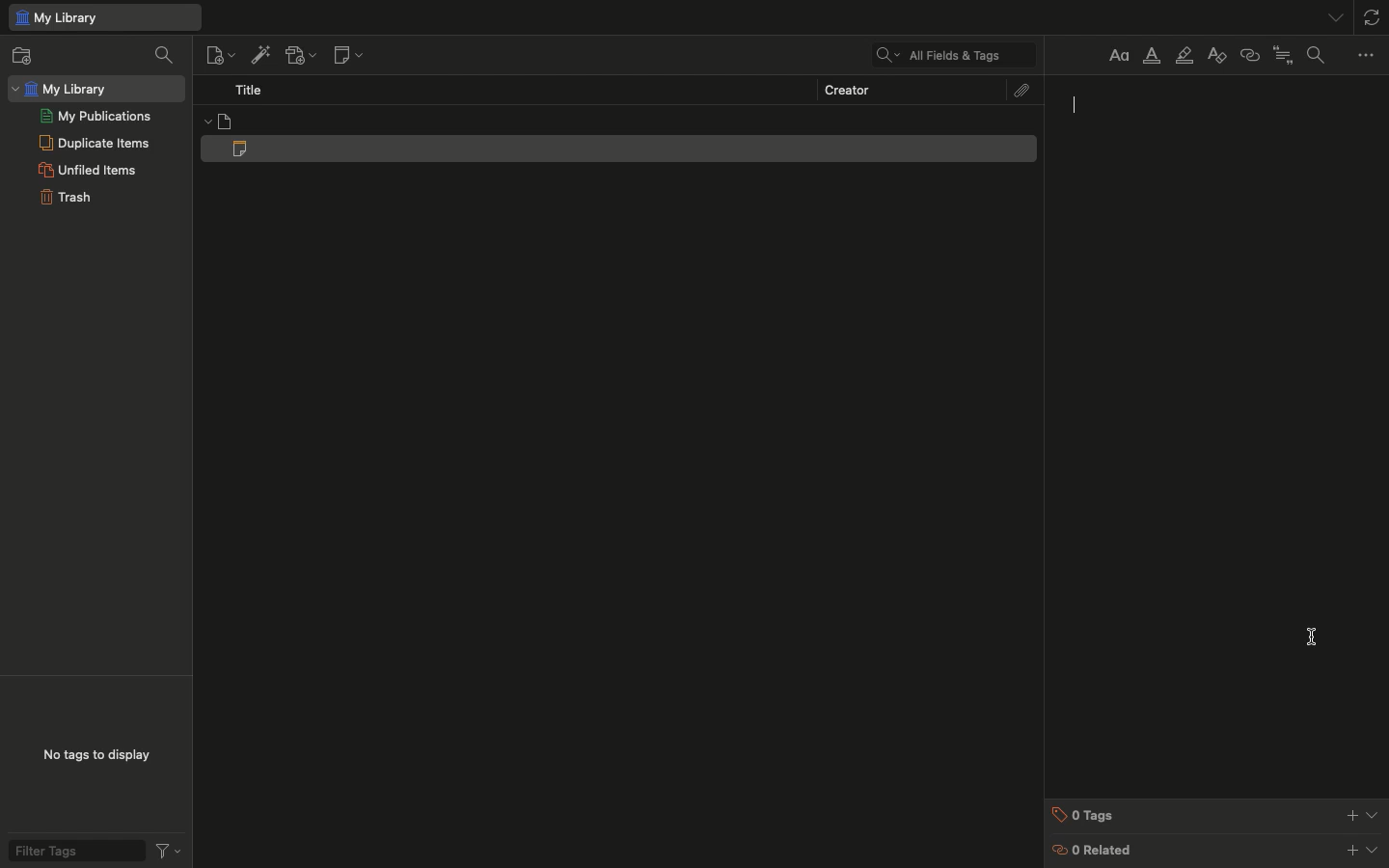 This screenshot has width=1389, height=868. Describe the element at coordinates (351, 54) in the screenshot. I see `New note` at that location.